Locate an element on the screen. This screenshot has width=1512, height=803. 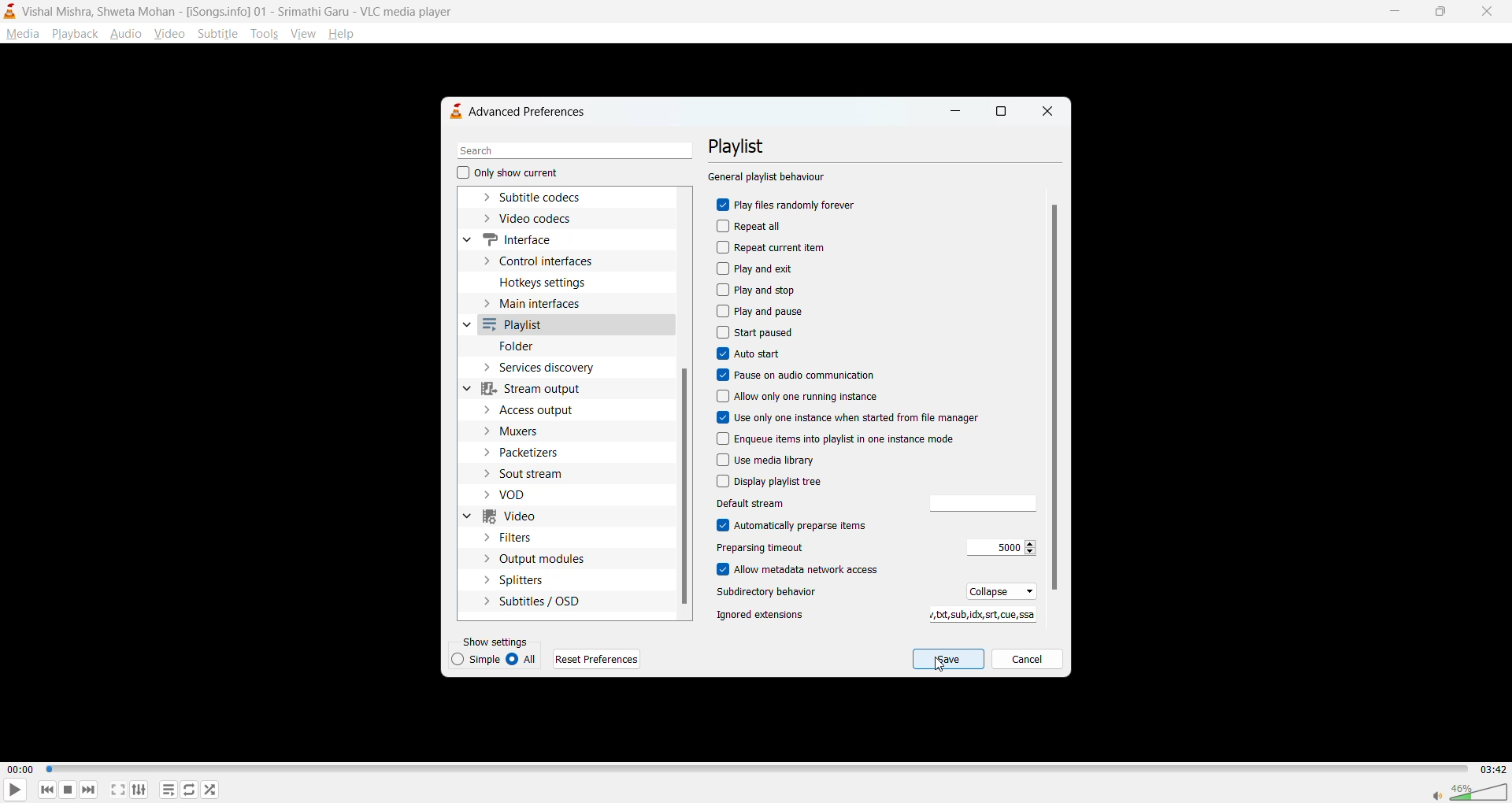
settings is located at coordinates (139, 789).